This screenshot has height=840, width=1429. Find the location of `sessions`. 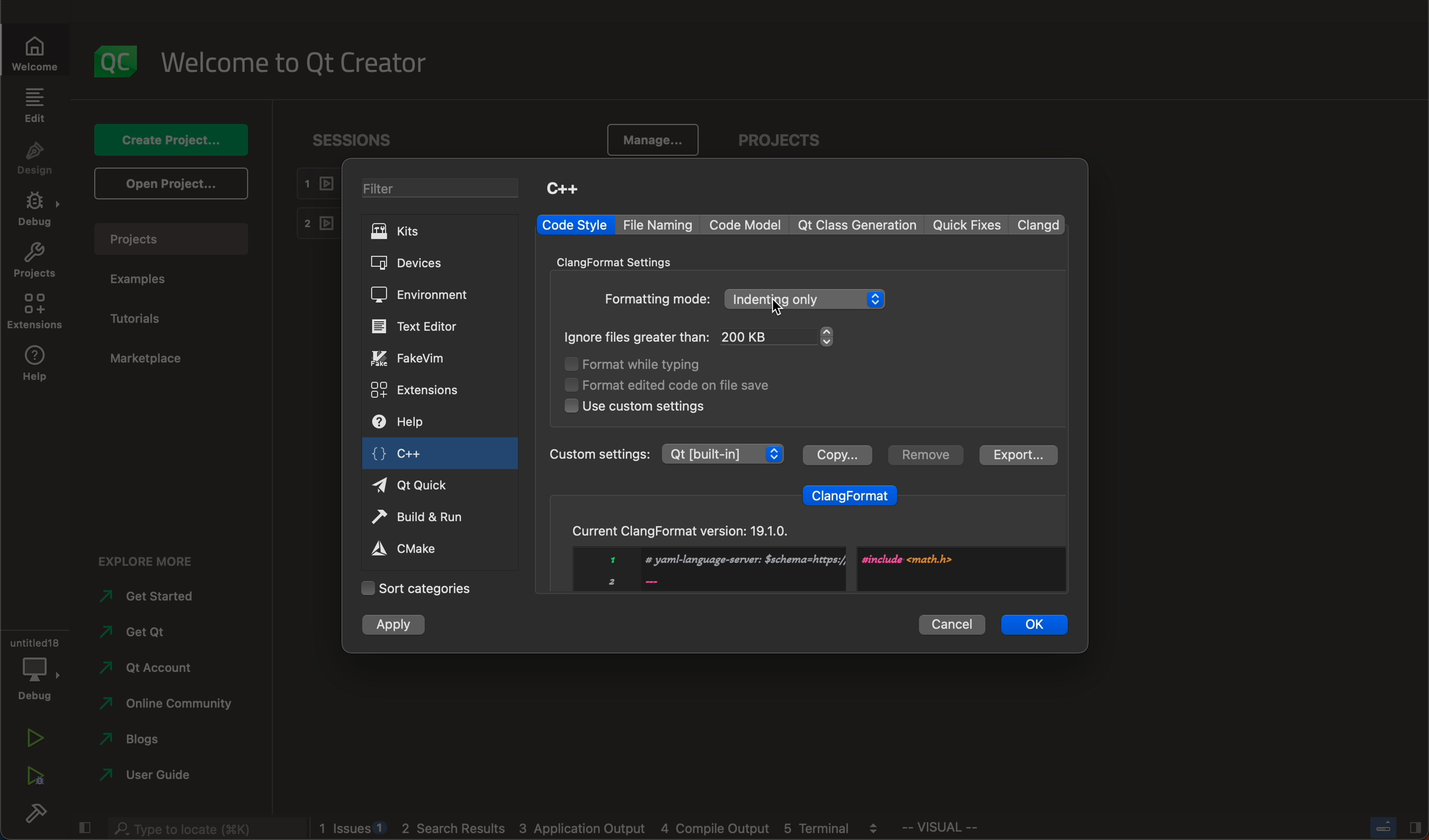

sessions is located at coordinates (362, 139).